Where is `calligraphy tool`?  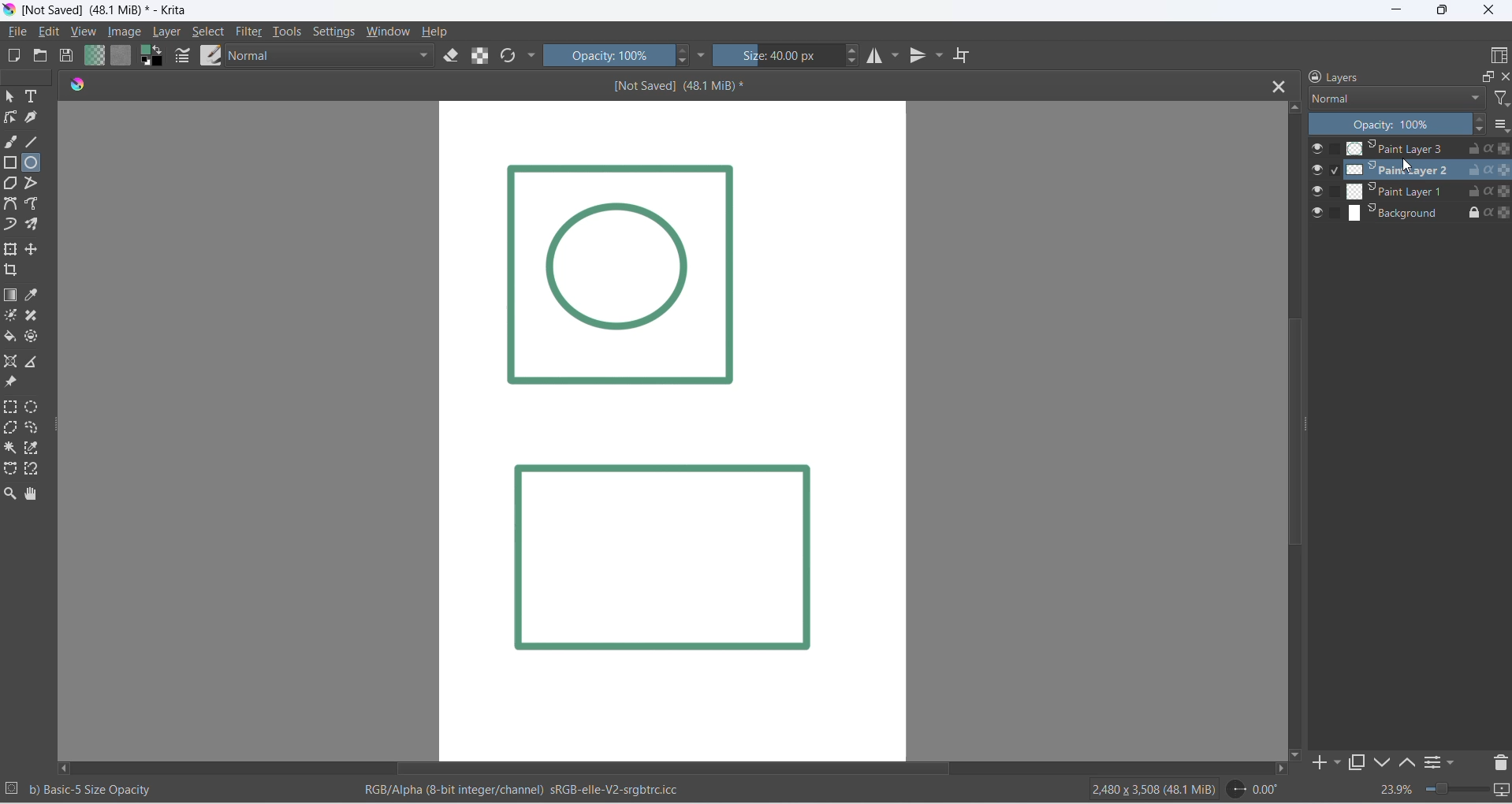 calligraphy tool is located at coordinates (35, 118).